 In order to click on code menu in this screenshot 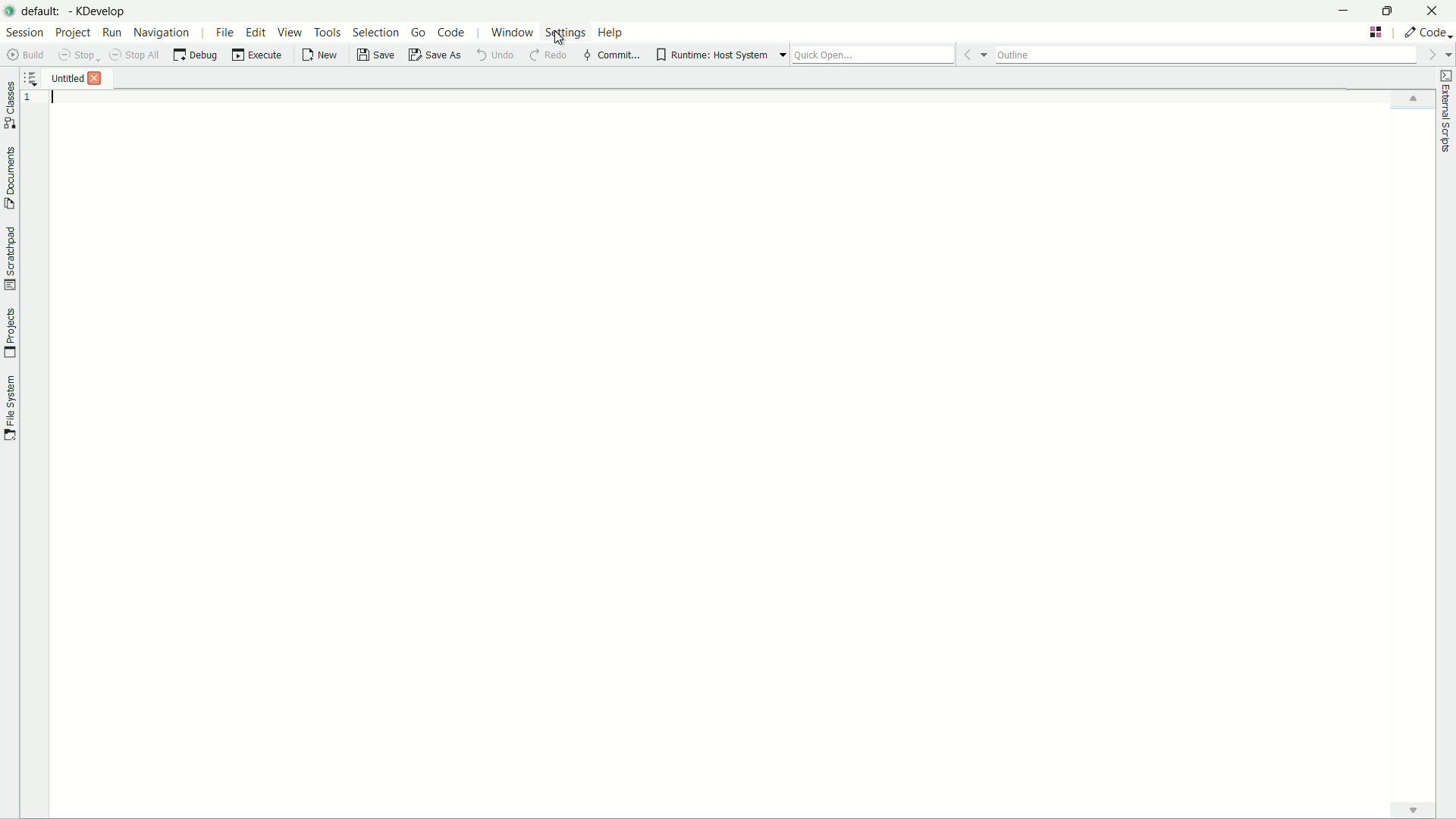, I will do `click(452, 33)`.